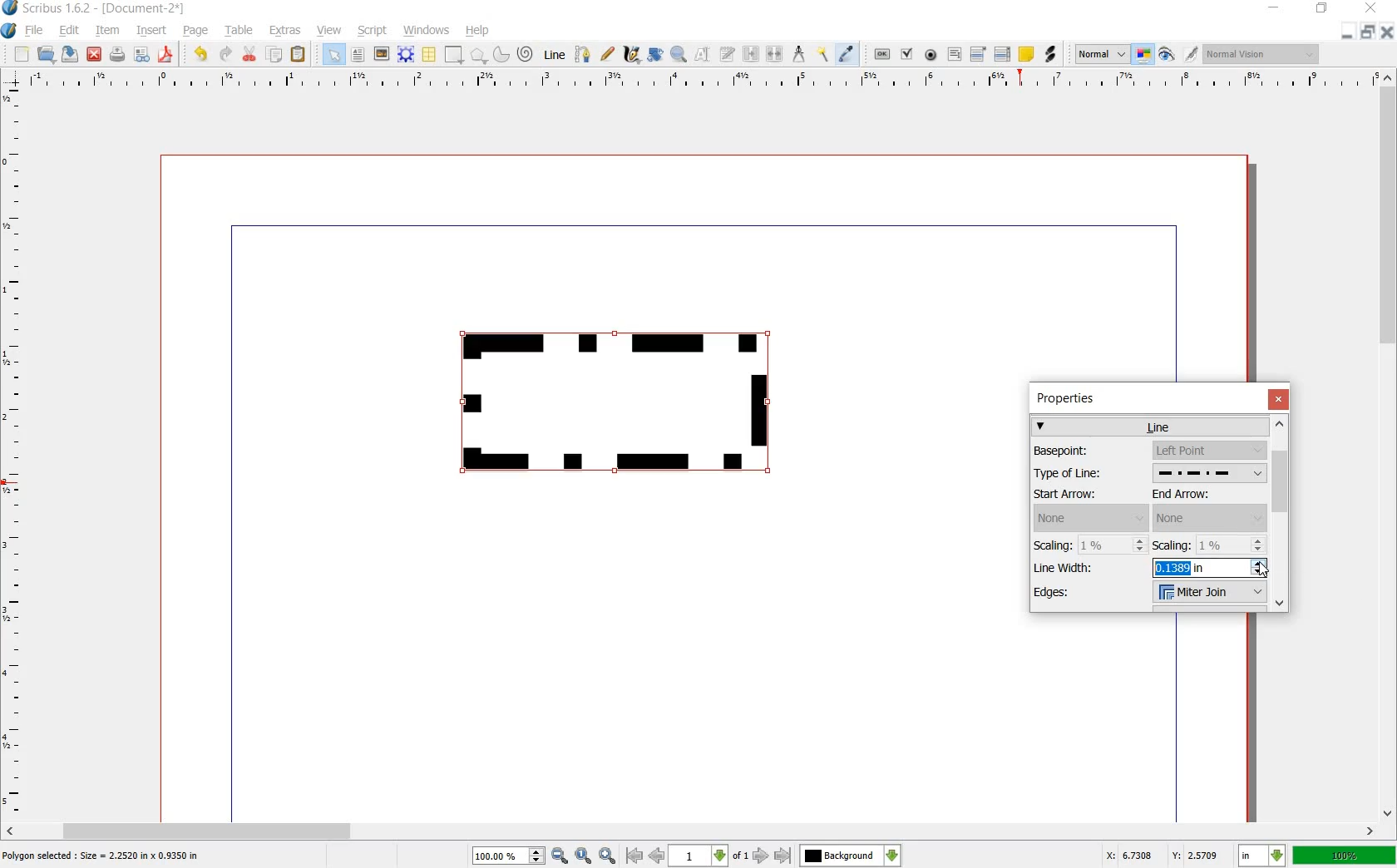 The width and height of the screenshot is (1397, 868). I want to click on X: 6.7308 Y: 2.5709, so click(1163, 856).